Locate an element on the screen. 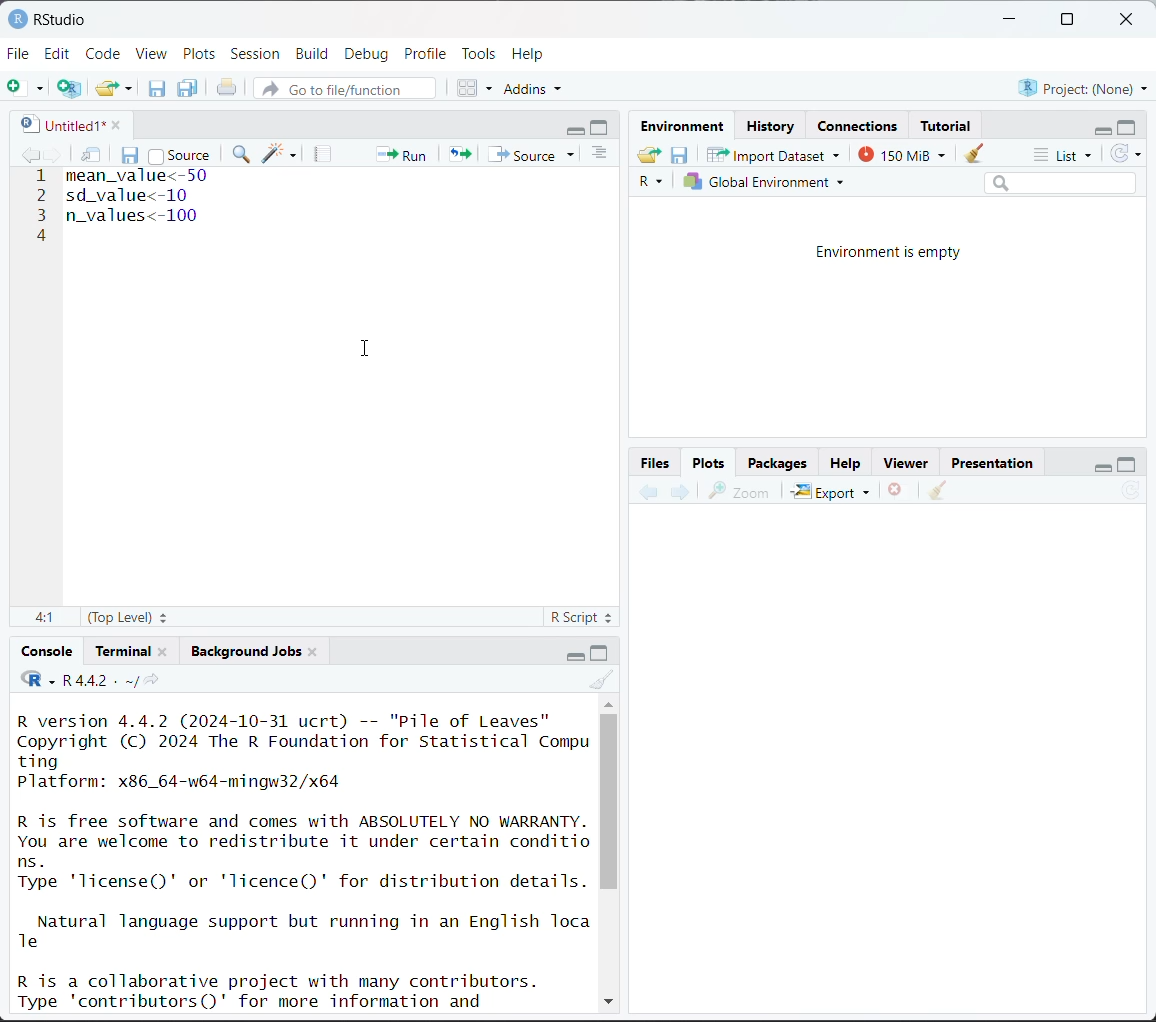 The image size is (1156, 1022). maximize is located at coordinates (1127, 463).